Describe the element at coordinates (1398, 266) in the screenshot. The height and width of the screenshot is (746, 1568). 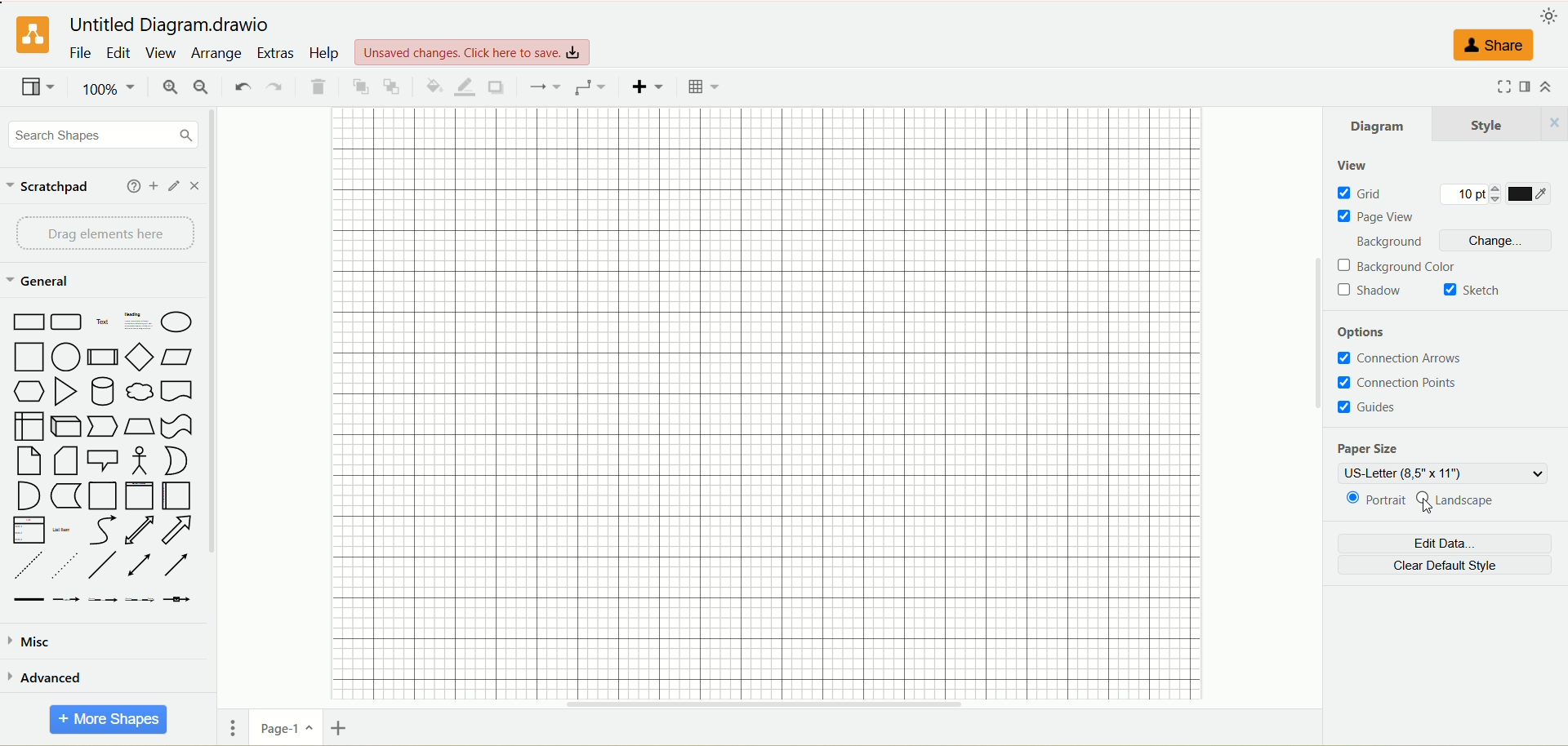
I see `background color` at that location.